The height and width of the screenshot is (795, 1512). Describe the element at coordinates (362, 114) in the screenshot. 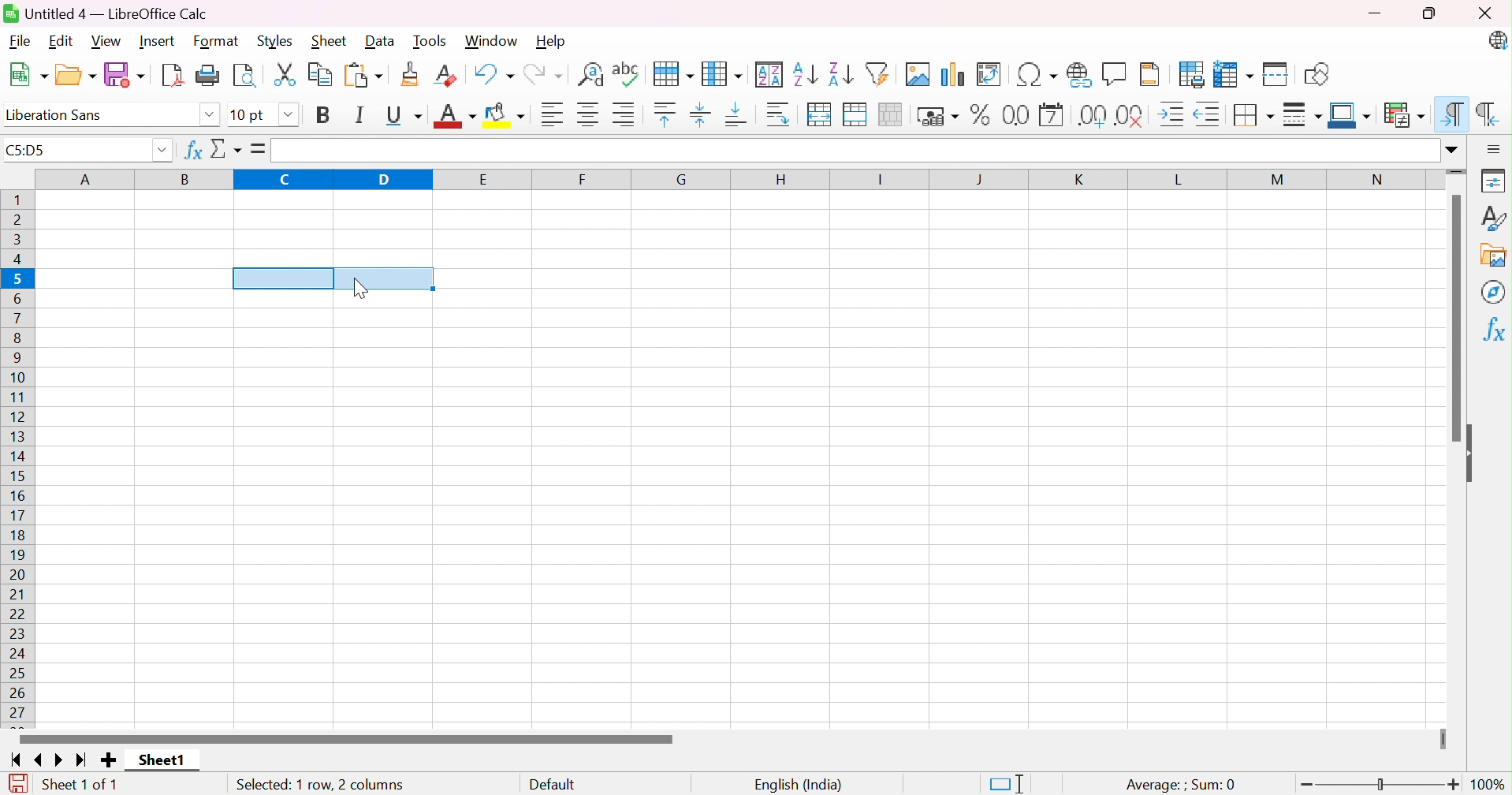

I see `Italic` at that location.